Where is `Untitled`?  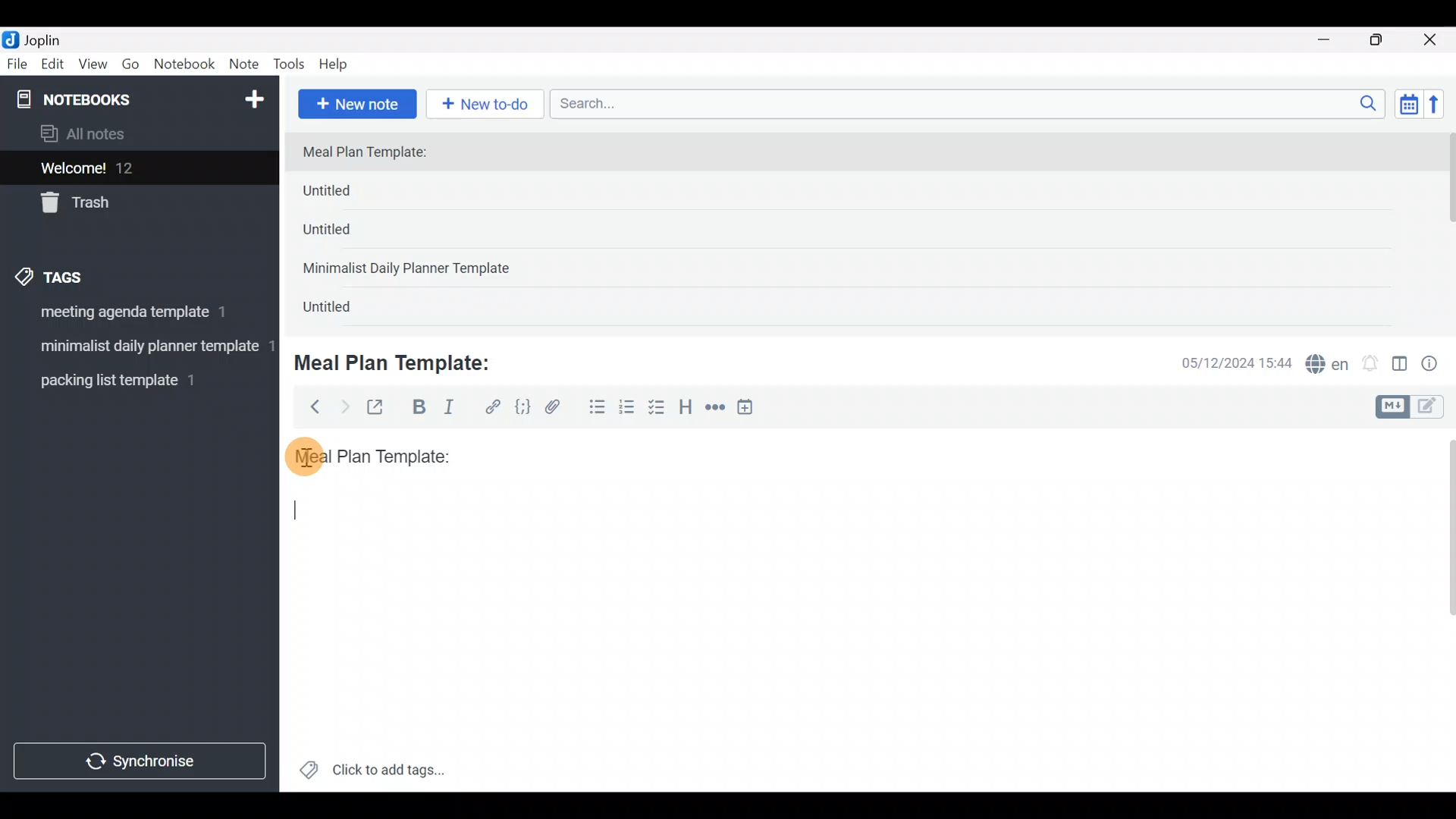
Untitled is located at coordinates (344, 310).